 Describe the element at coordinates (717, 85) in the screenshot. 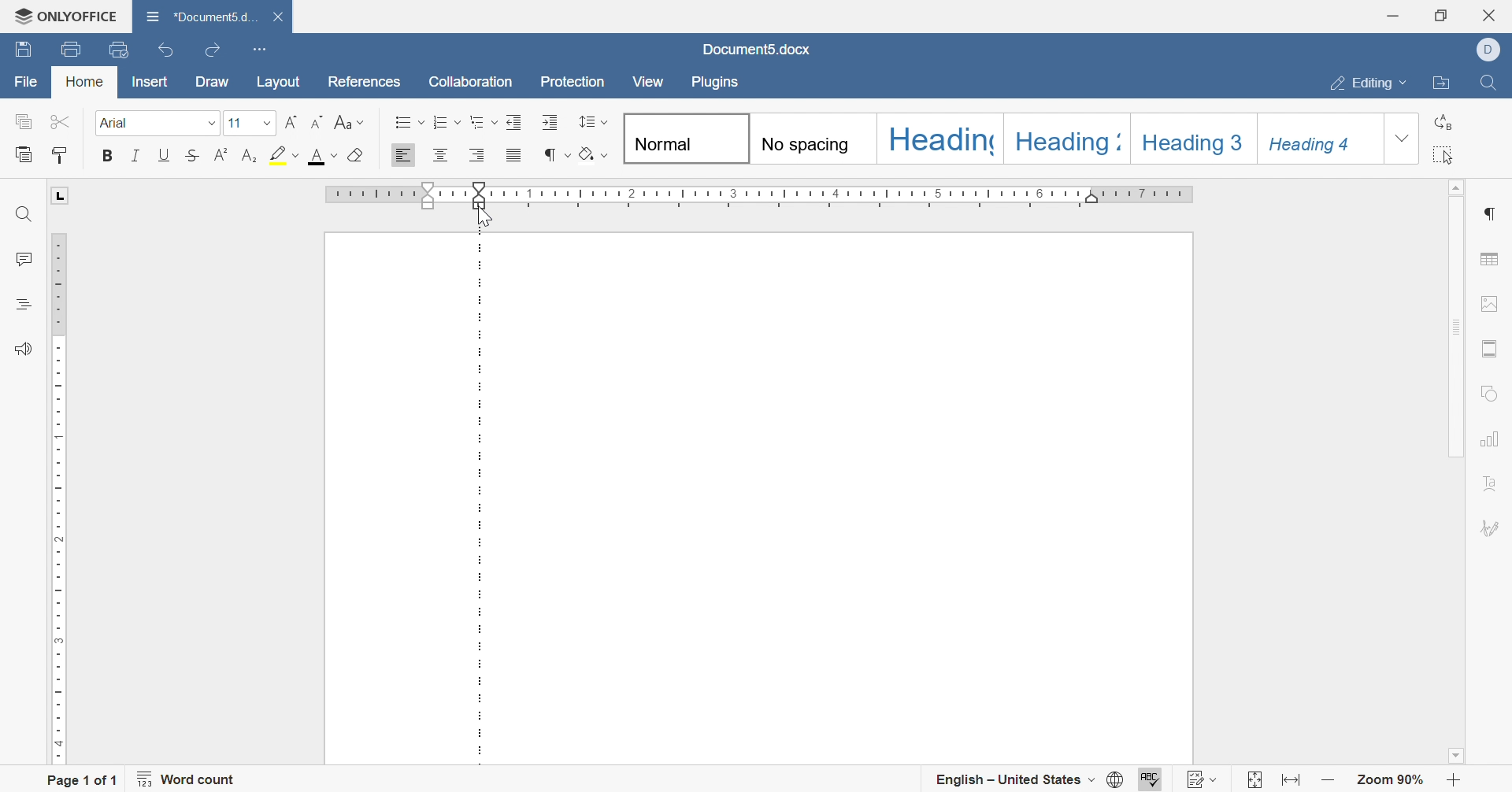

I see `plugins` at that location.